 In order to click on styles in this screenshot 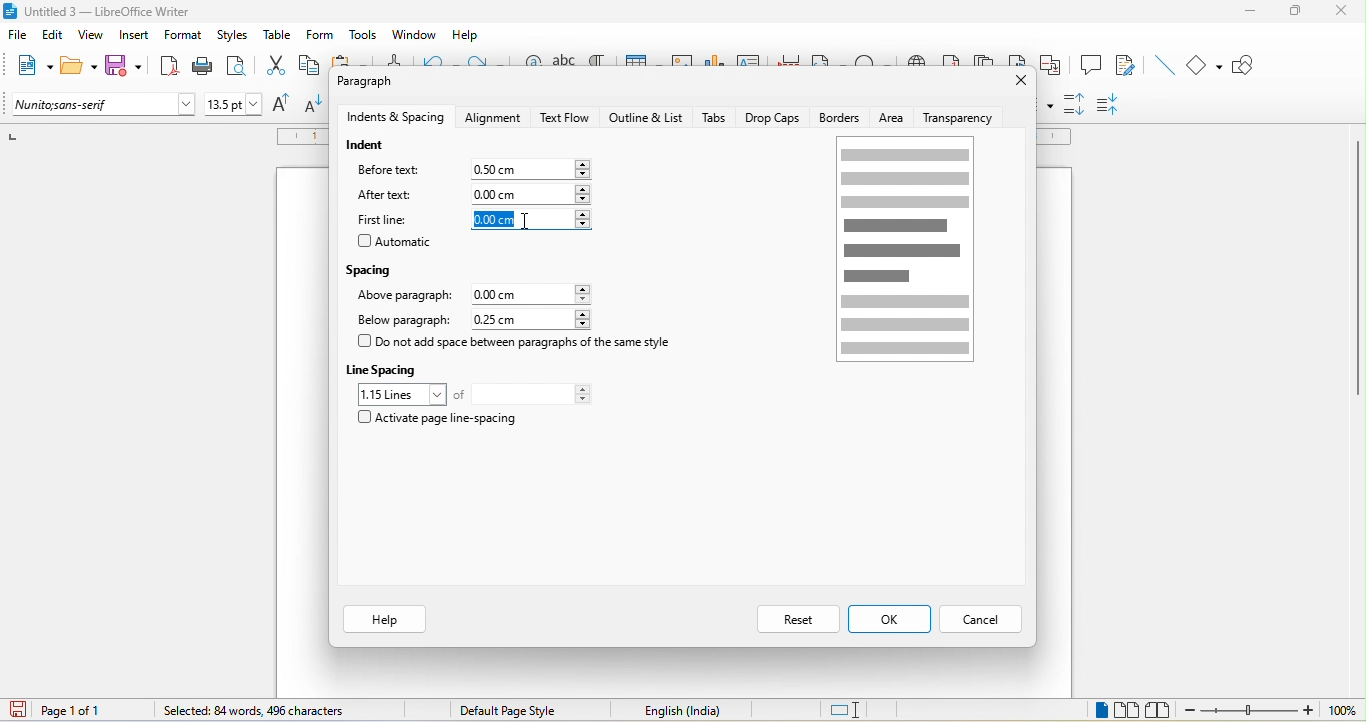, I will do `click(234, 36)`.